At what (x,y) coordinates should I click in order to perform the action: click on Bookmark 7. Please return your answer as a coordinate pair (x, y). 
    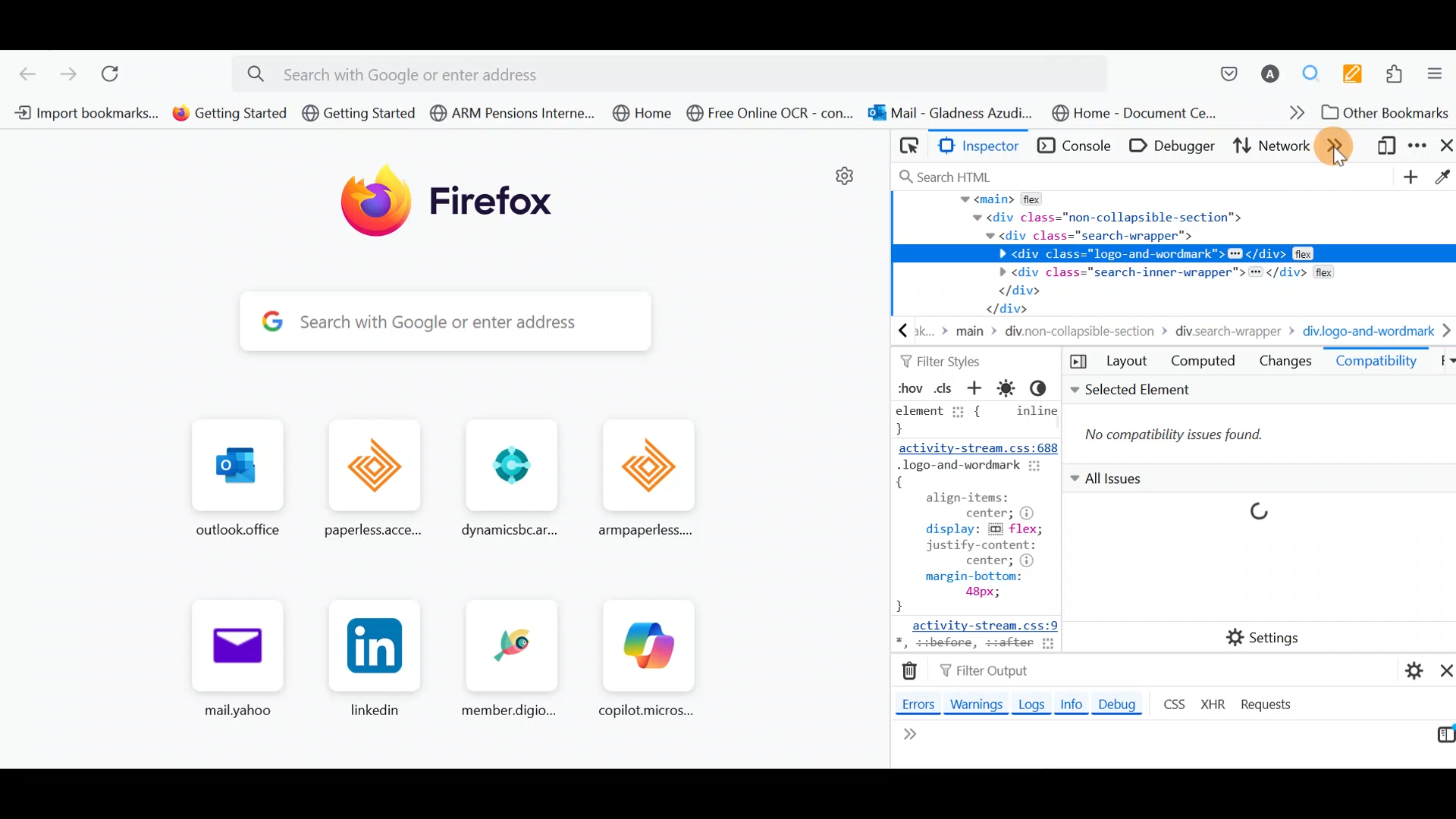
    Looking at the image, I should click on (949, 114).